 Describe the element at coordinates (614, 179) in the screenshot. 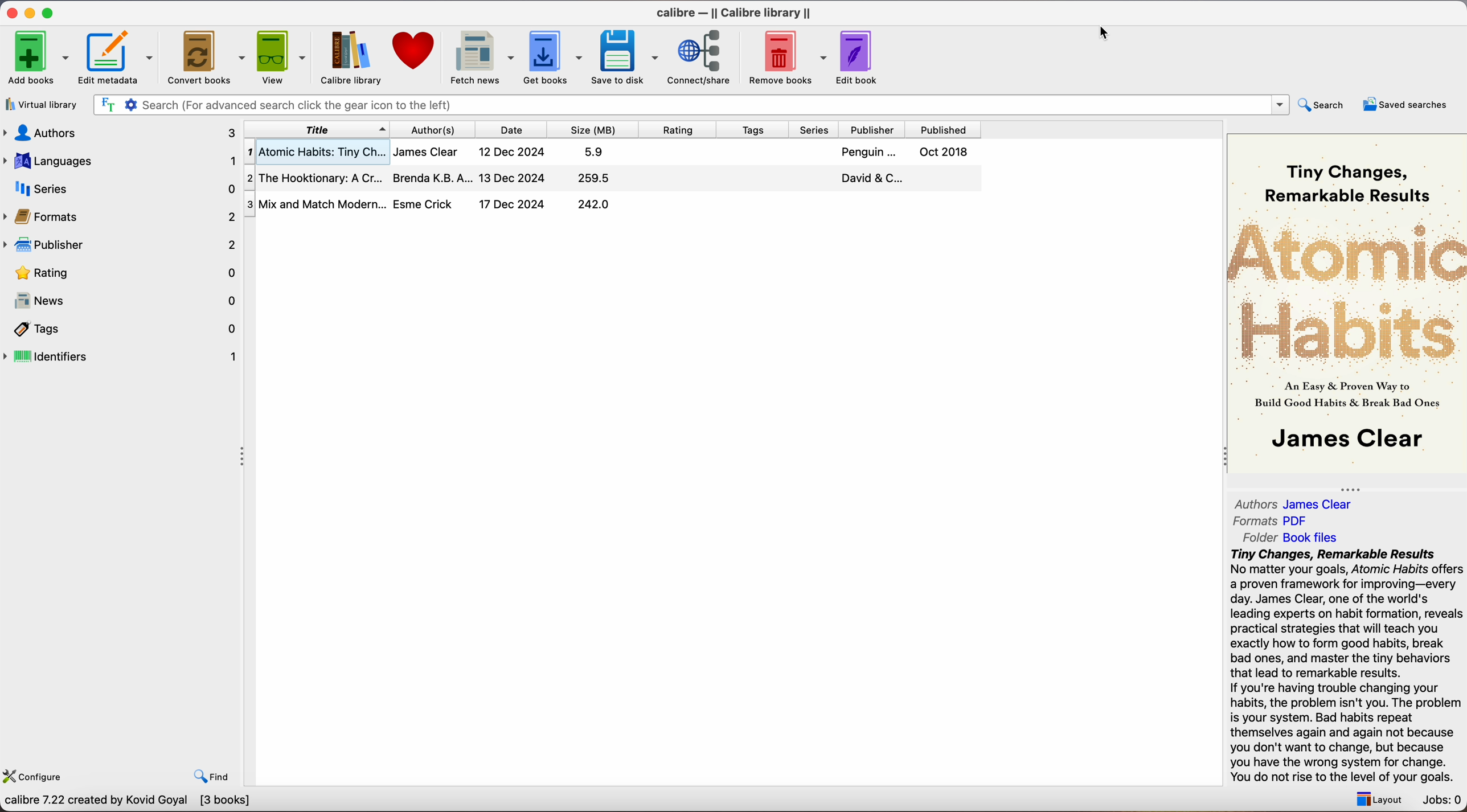

I see `The Hooktionary: A Cr...` at that location.